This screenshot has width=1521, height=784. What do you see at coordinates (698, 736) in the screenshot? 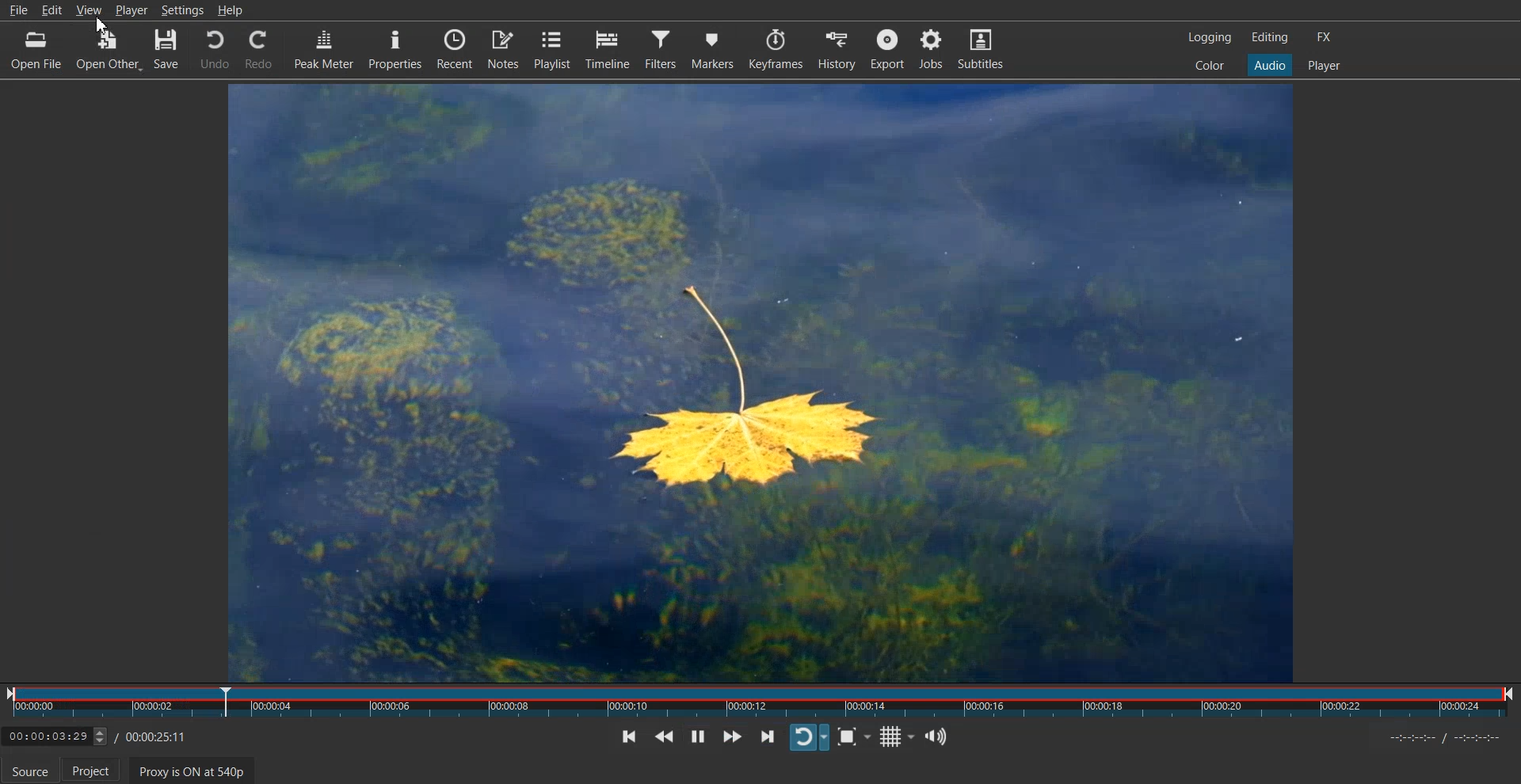
I see `Toggle play or pause` at bounding box center [698, 736].